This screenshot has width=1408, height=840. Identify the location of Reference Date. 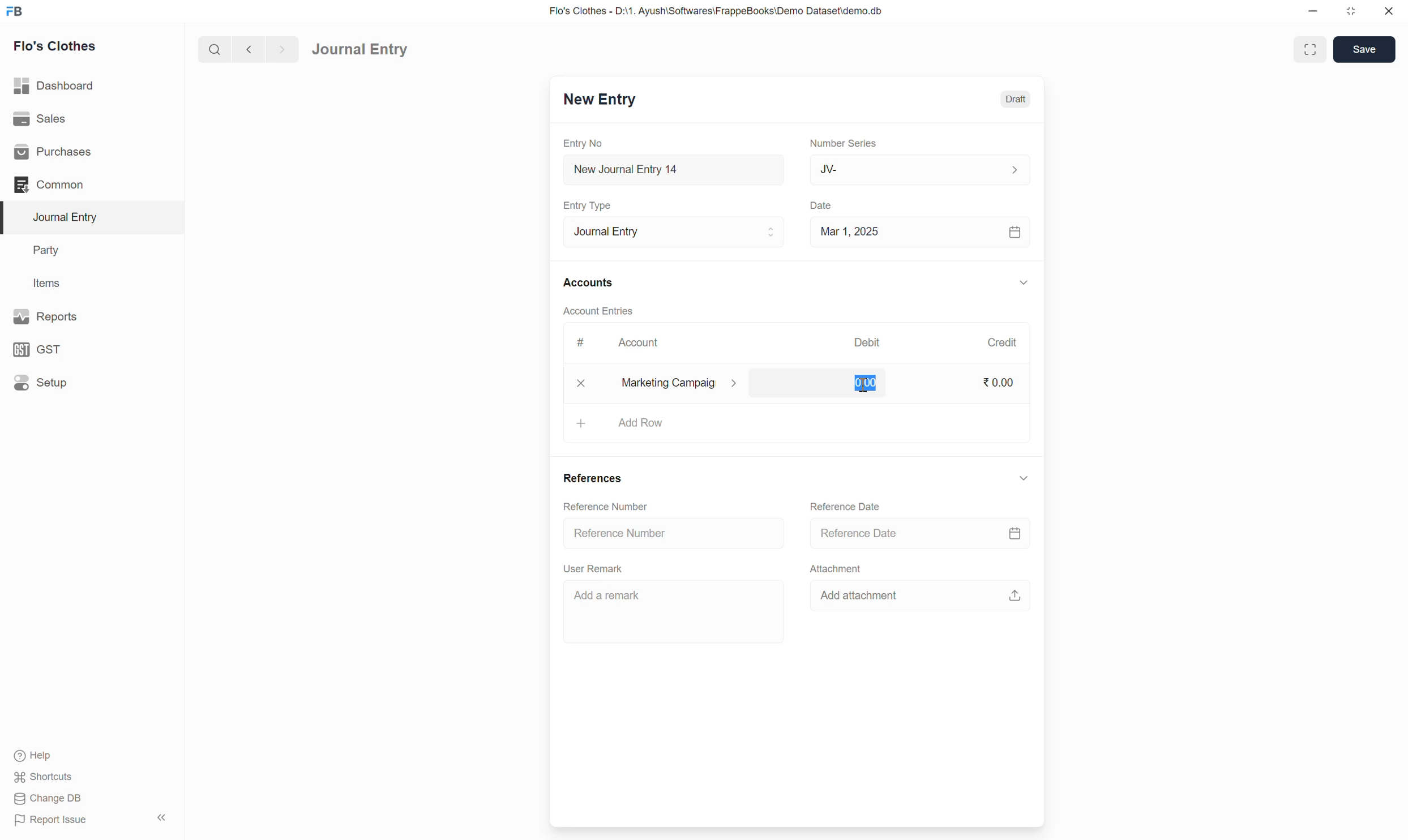
(847, 507).